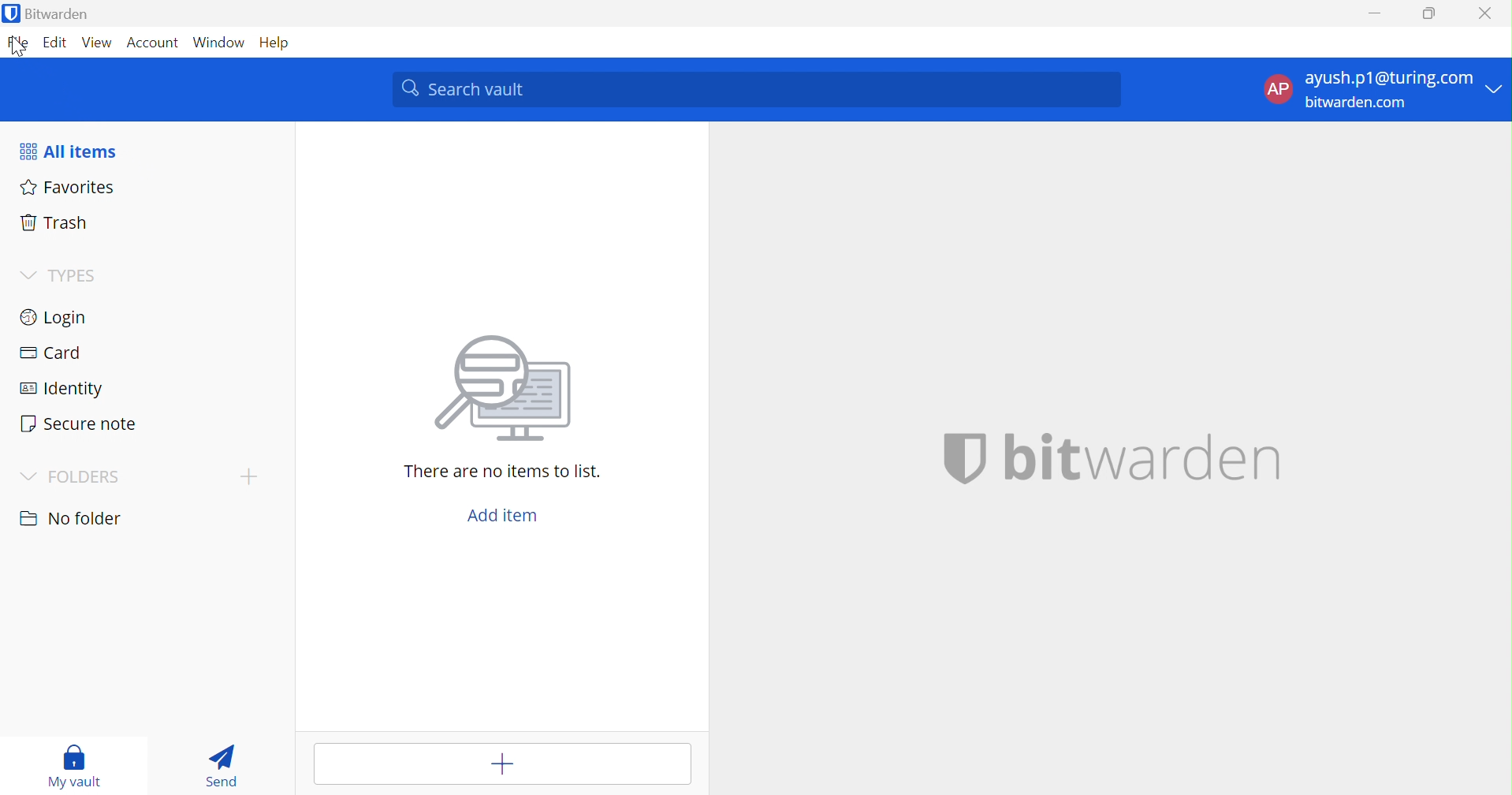  Describe the element at coordinates (502, 472) in the screenshot. I see `There are no items to list.` at that location.